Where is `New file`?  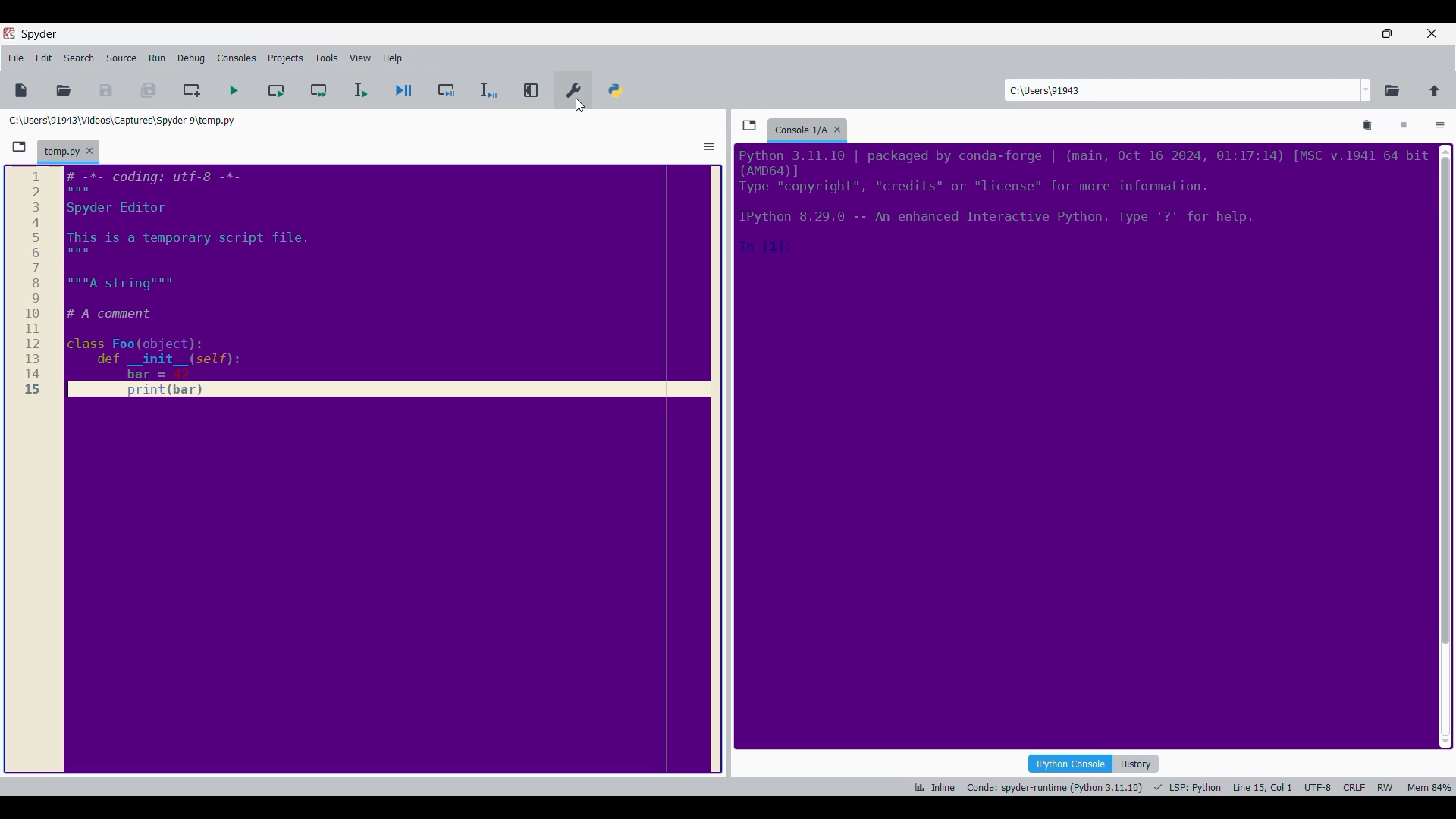
New file is located at coordinates (22, 90).